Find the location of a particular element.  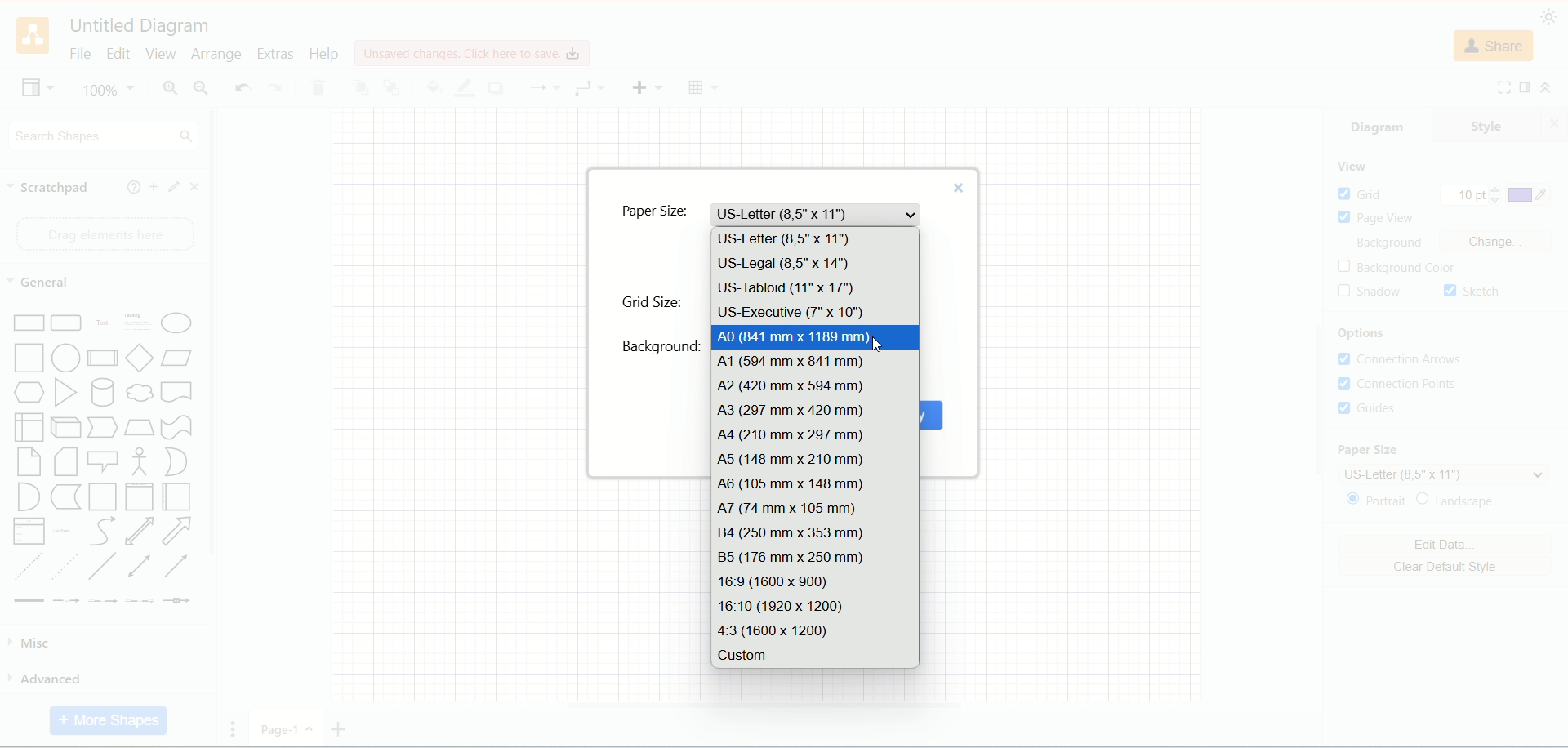

view is located at coordinates (1352, 167).